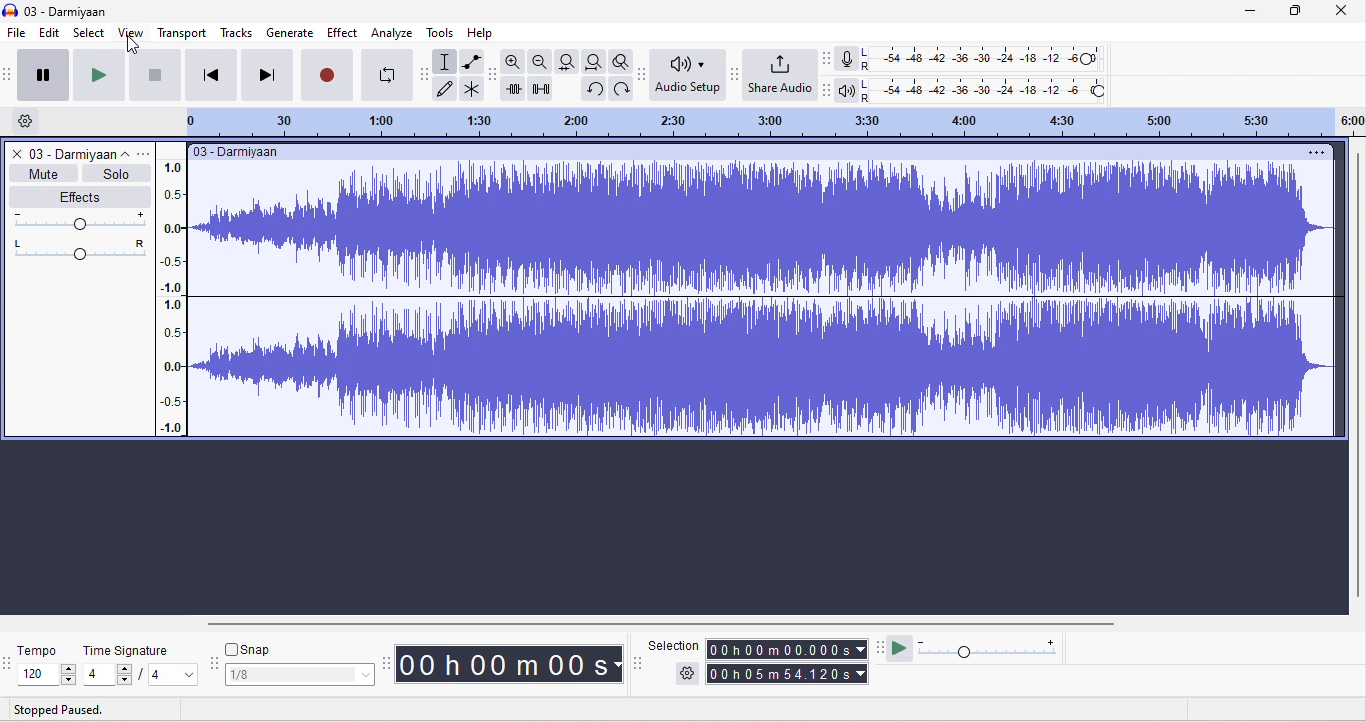 The image size is (1366, 722). I want to click on selection, so click(445, 61).